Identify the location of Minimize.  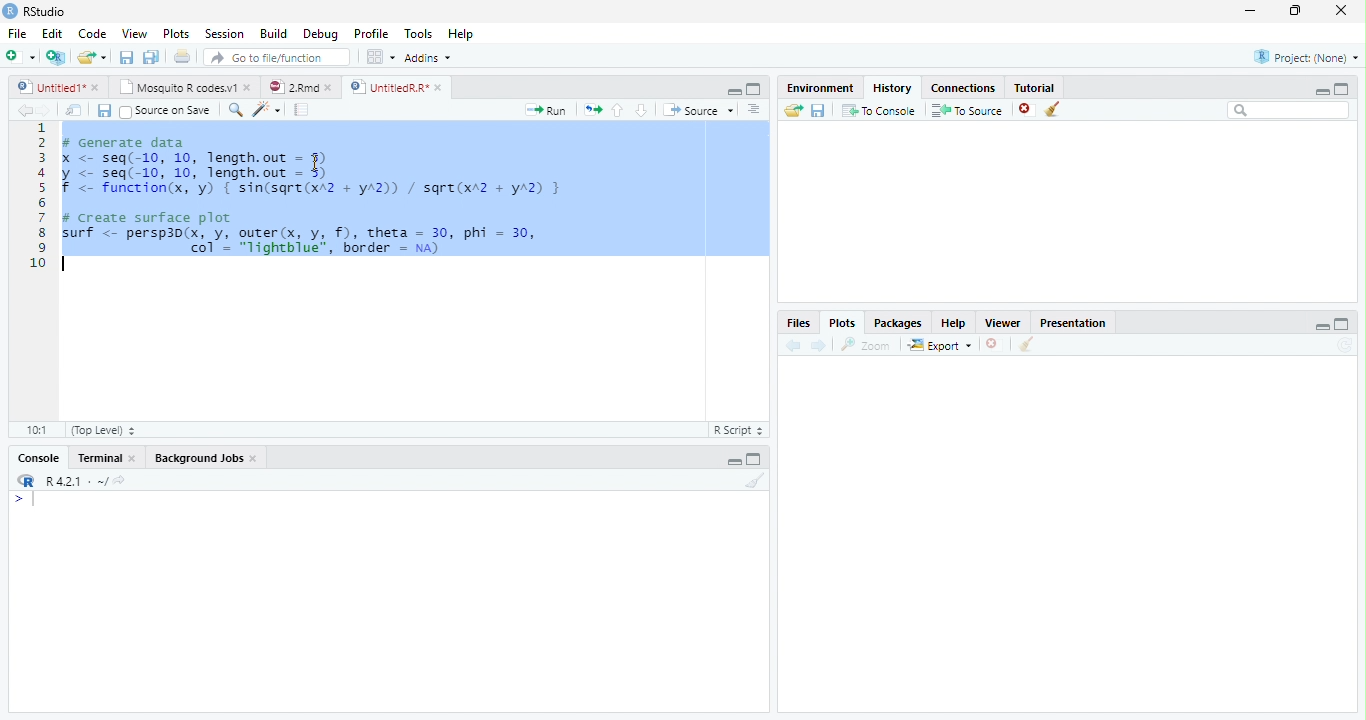
(732, 91).